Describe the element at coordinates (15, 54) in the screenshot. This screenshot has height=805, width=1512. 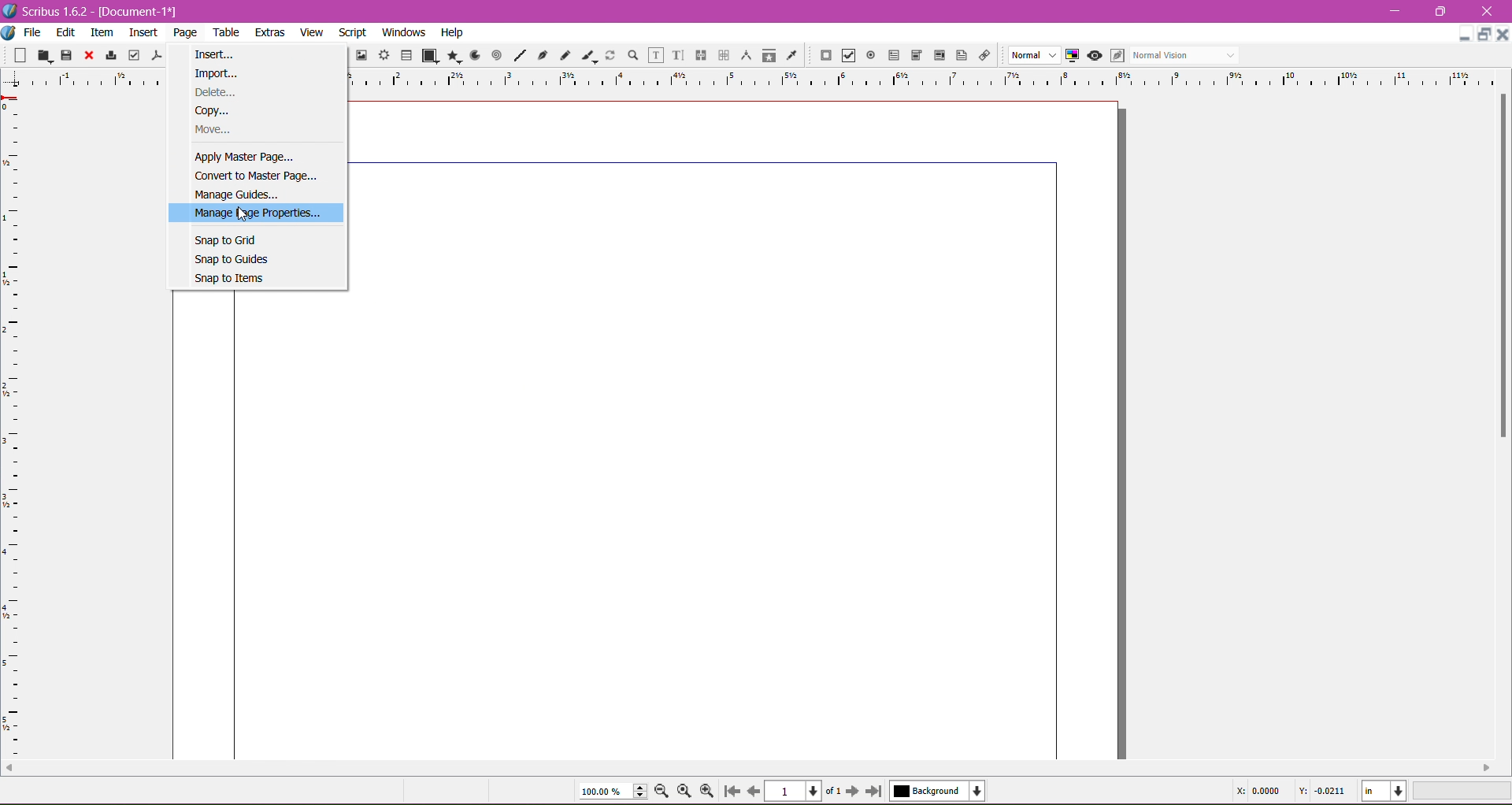
I see `New` at that location.